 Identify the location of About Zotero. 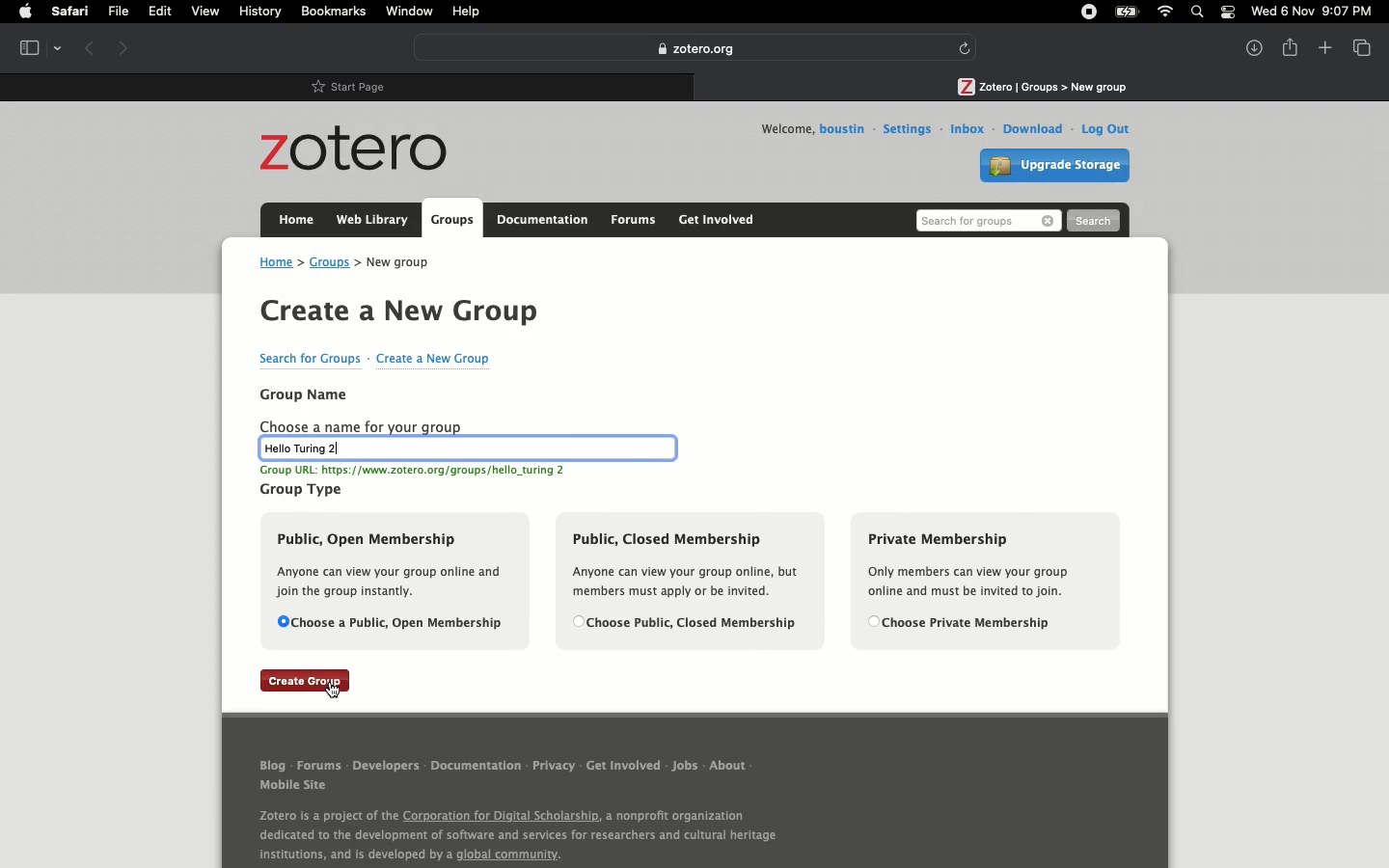
(512, 834).